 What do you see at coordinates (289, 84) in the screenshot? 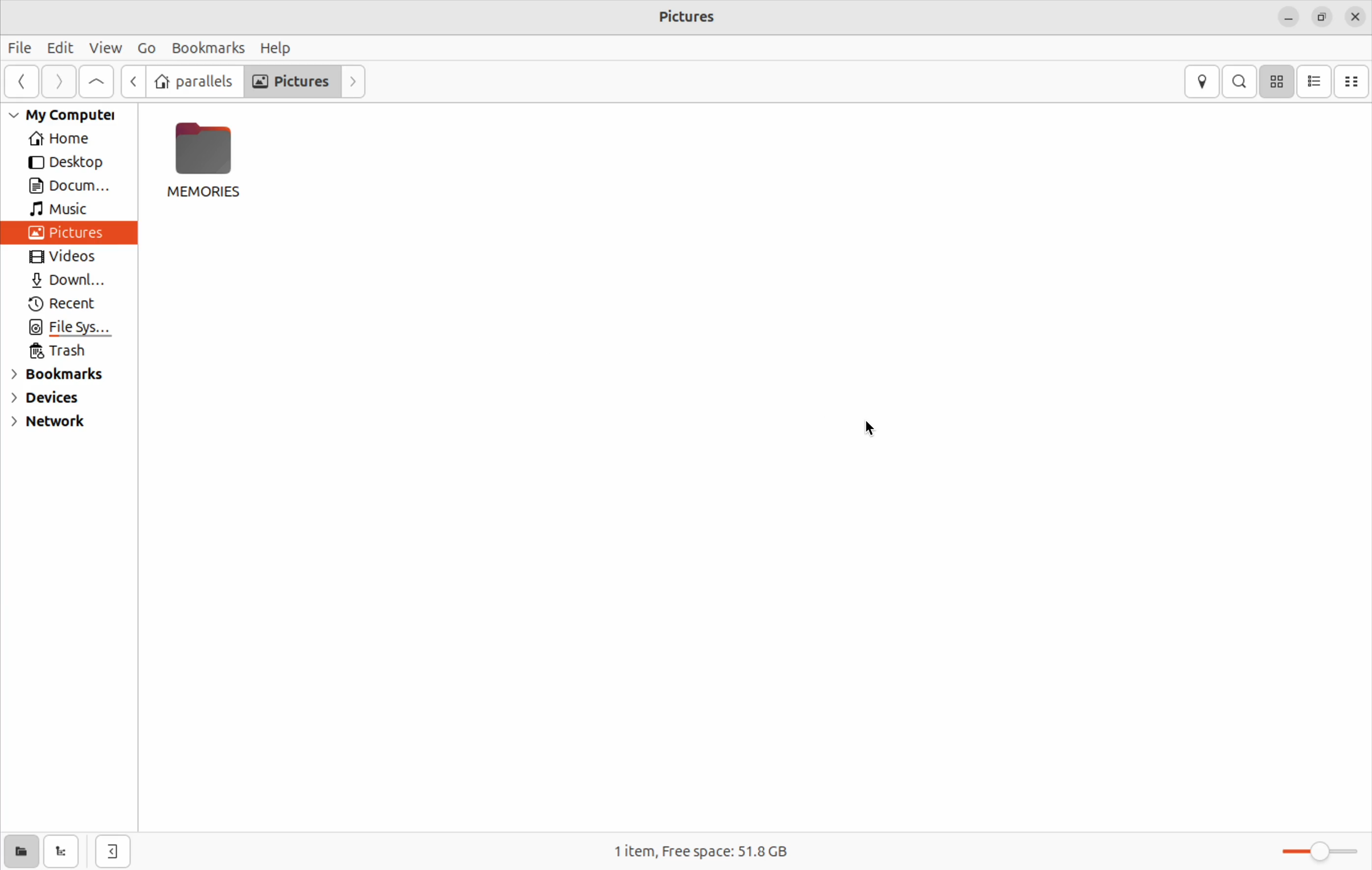
I see `Pictures` at bounding box center [289, 84].